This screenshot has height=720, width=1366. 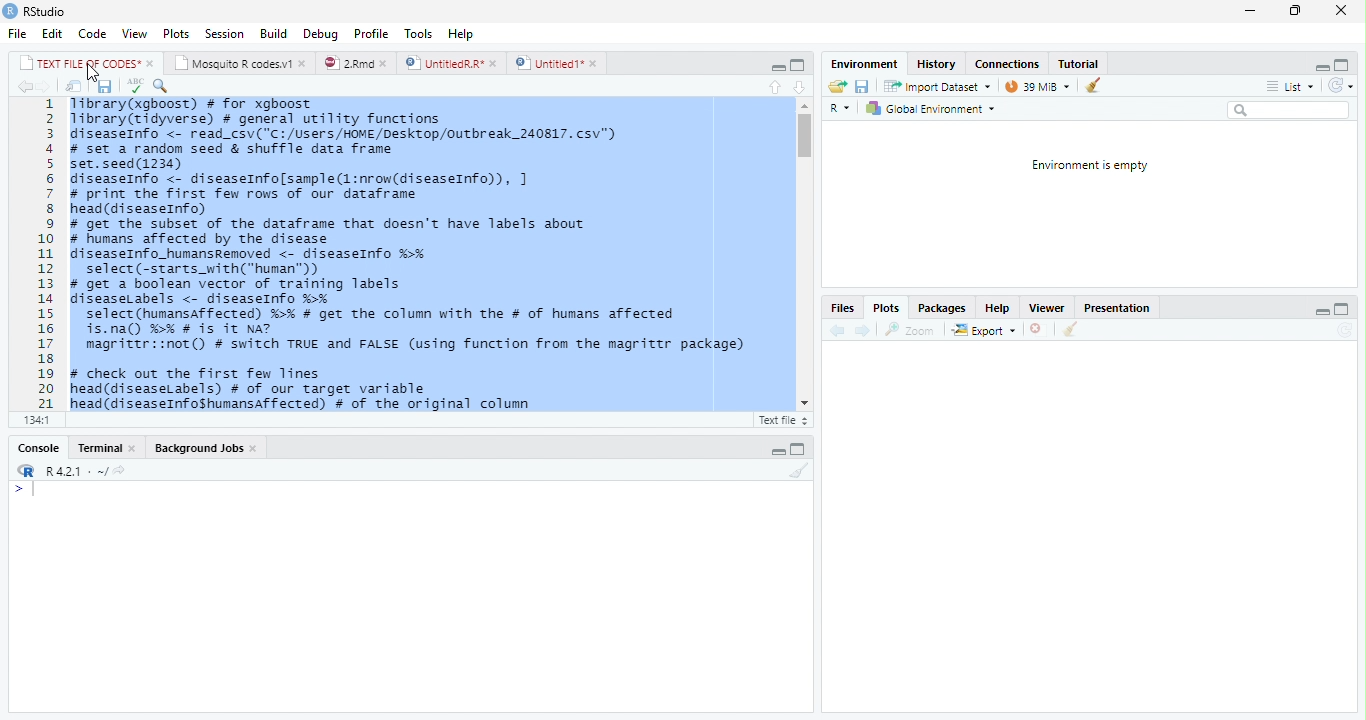 What do you see at coordinates (557, 62) in the screenshot?
I see ` Untitled1* ` at bounding box center [557, 62].